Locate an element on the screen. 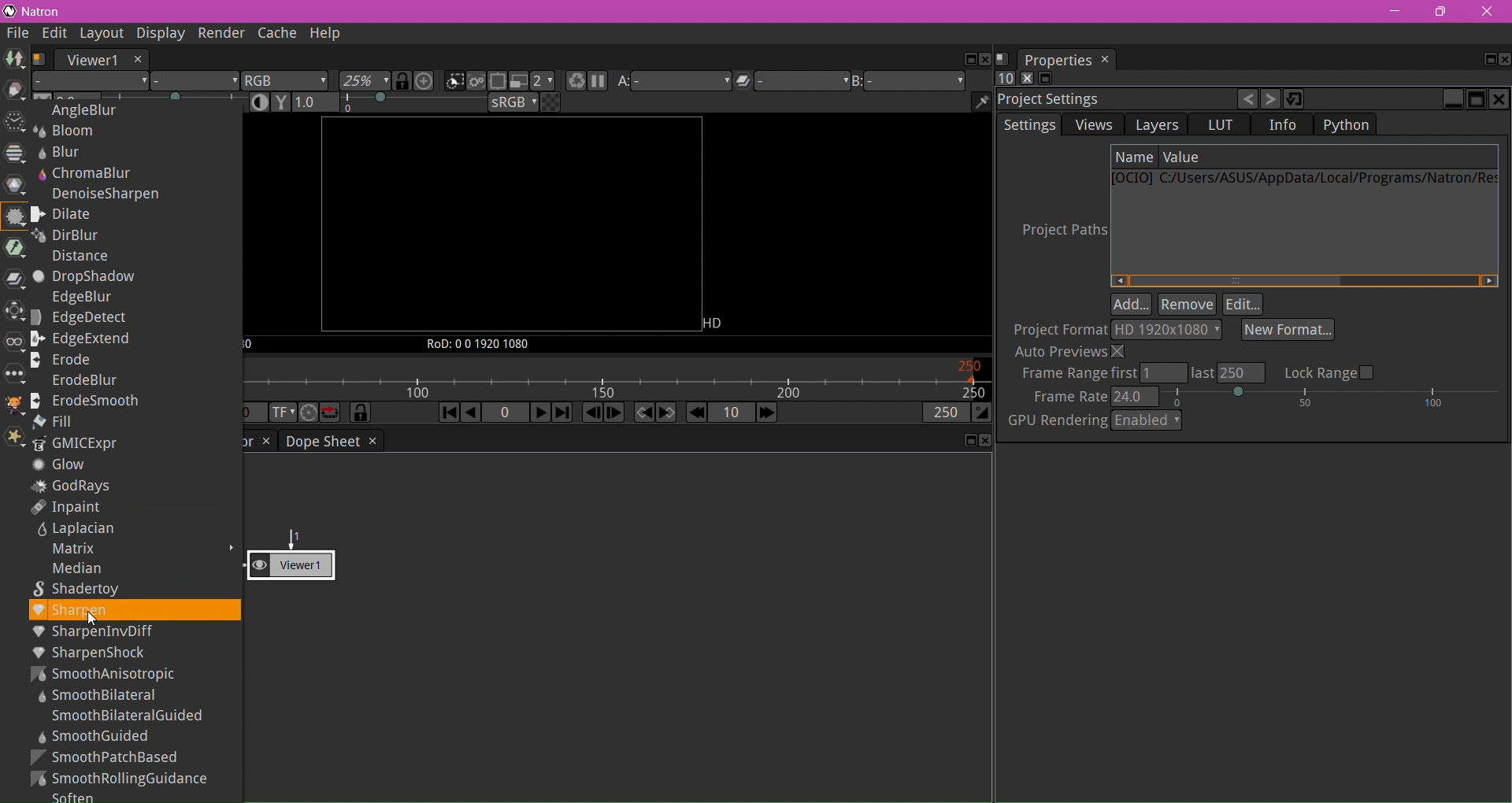 The image size is (1512, 803). First frame is located at coordinates (447, 414).